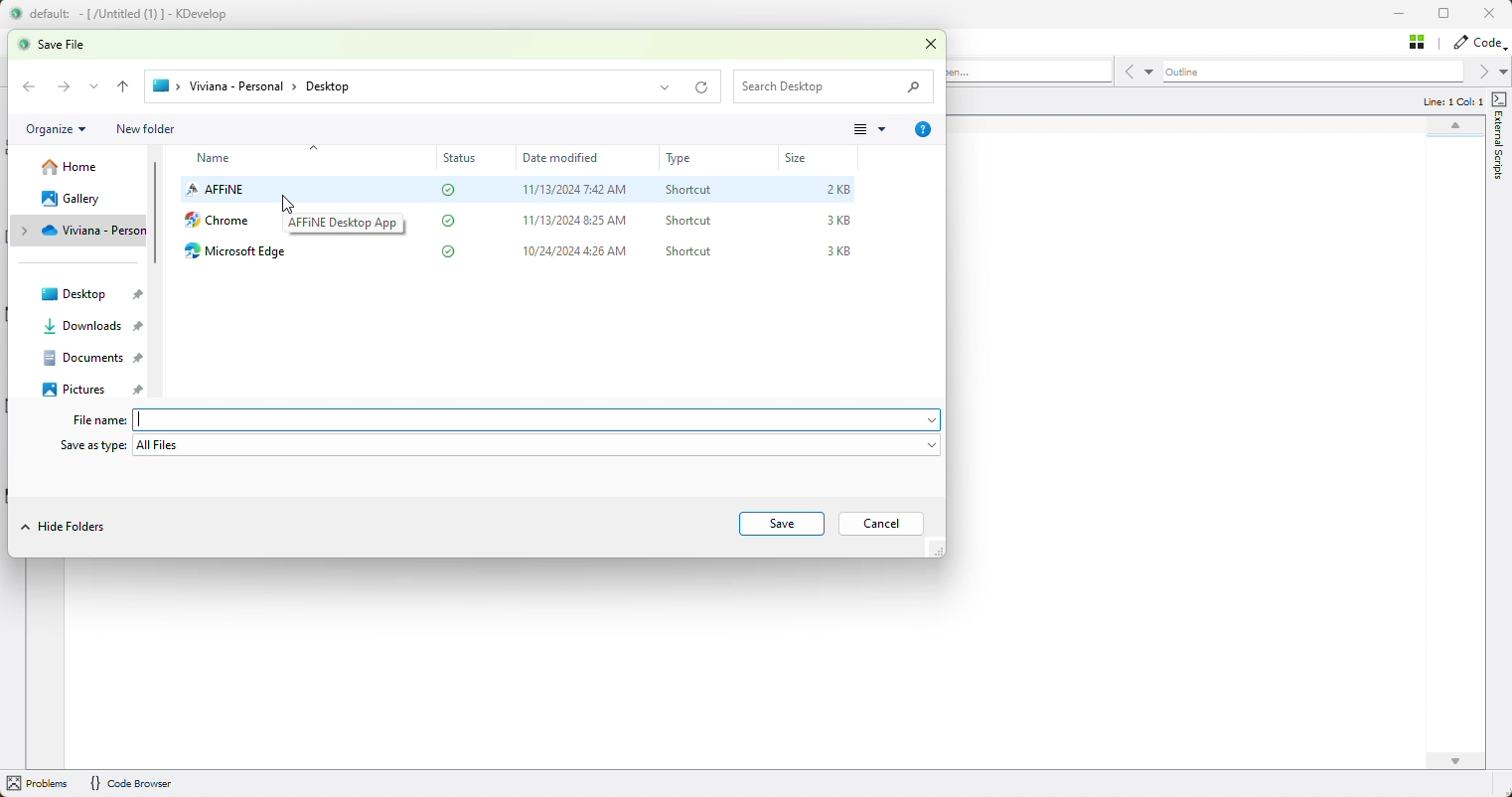 The height and width of the screenshot is (797, 1512). Describe the element at coordinates (72, 166) in the screenshot. I see `home` at that location.